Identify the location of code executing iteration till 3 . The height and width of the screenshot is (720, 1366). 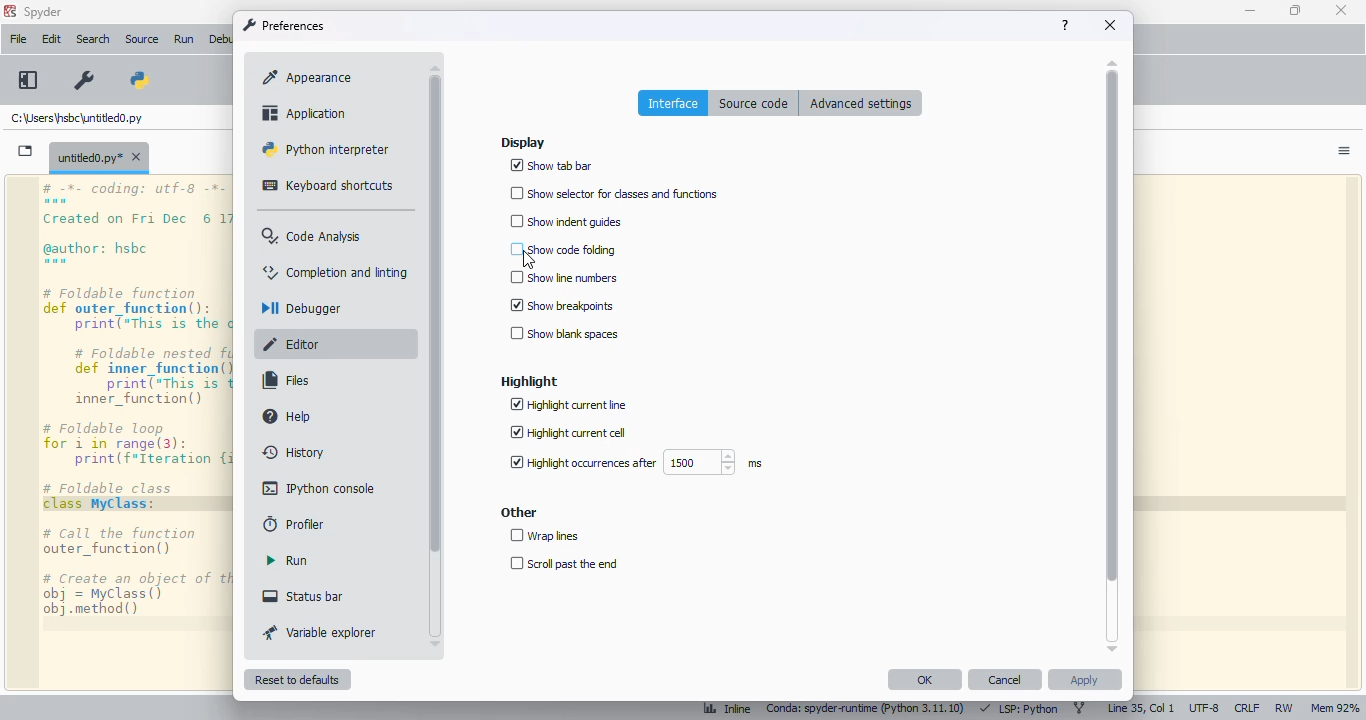
(138, 433).